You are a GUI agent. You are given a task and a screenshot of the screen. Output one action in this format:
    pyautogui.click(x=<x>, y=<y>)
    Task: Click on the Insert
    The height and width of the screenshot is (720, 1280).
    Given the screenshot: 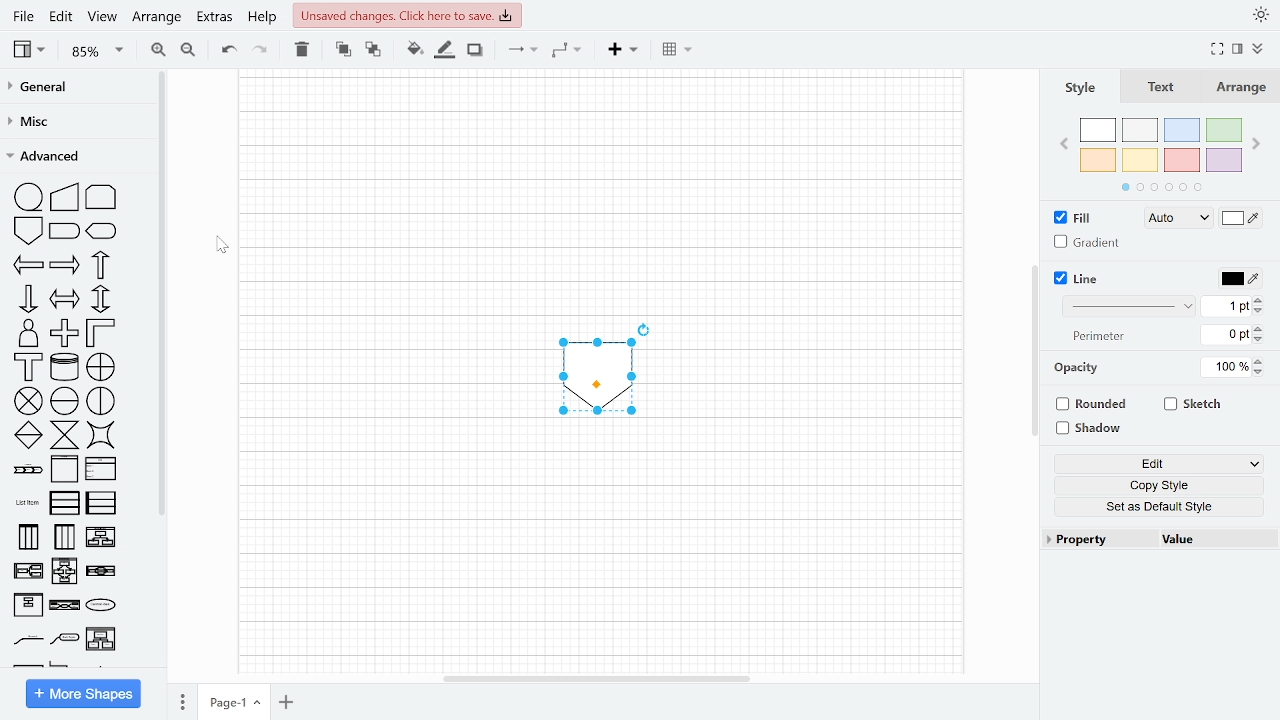 What is the action you would take?
    pyautogui.click(x=622, y=52)
    